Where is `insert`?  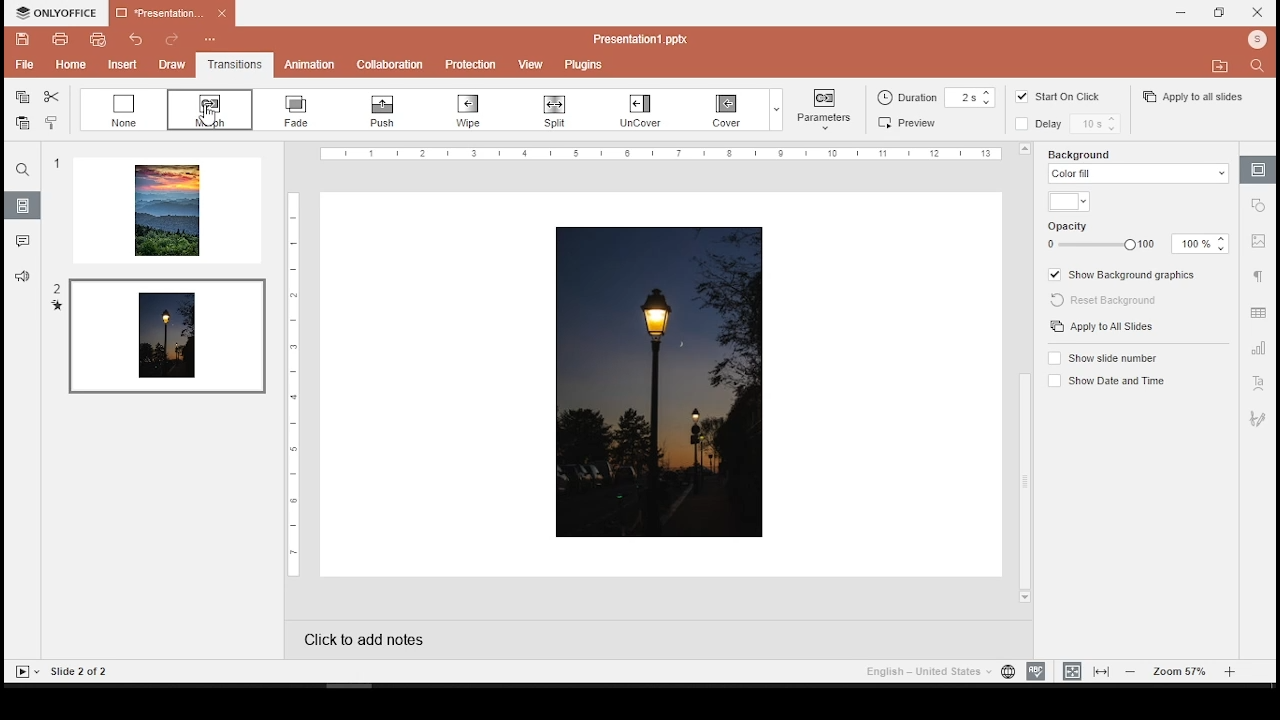
insert is located at coordinates (116, 65).